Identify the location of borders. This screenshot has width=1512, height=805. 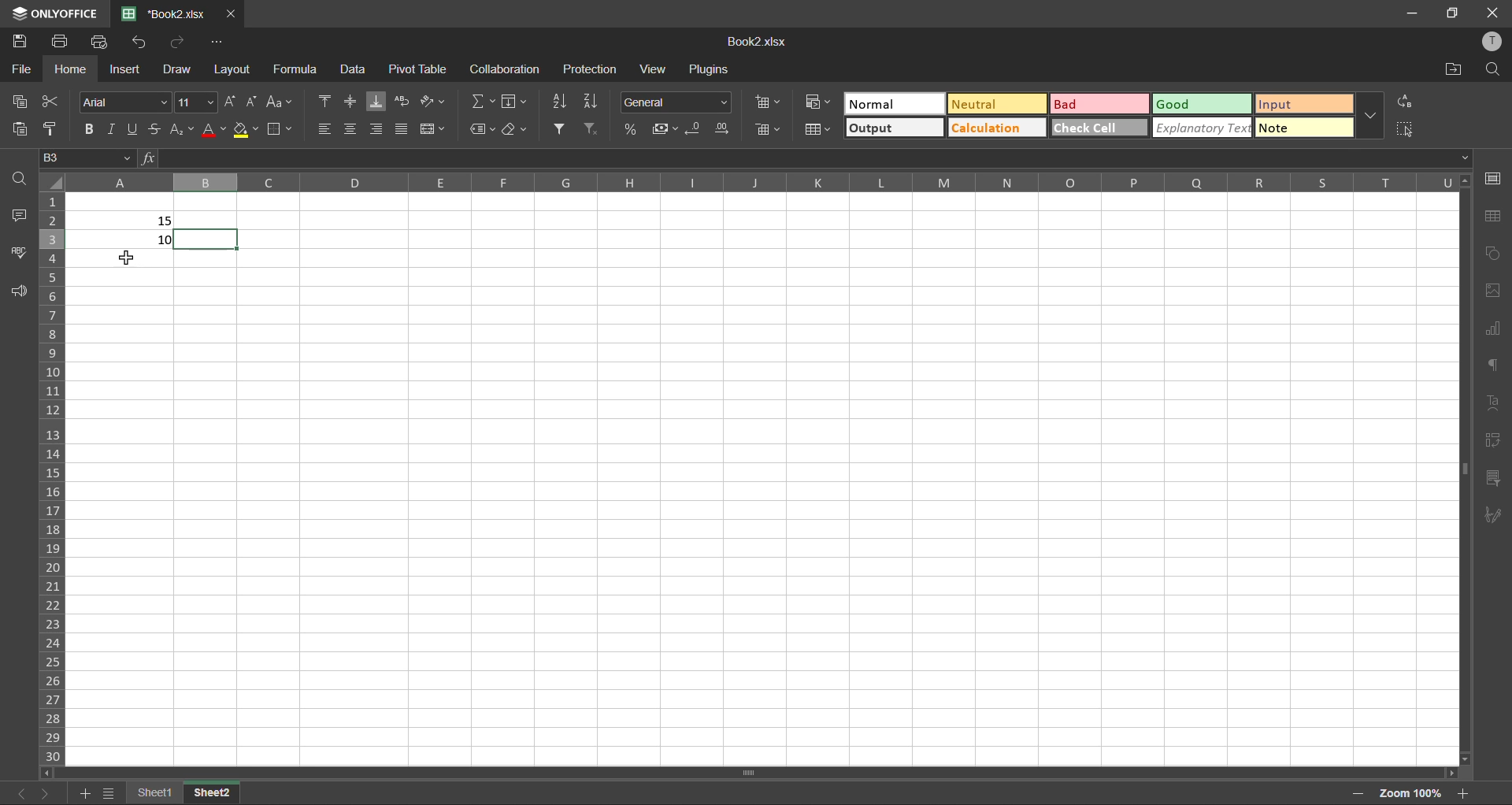
(281, 131).